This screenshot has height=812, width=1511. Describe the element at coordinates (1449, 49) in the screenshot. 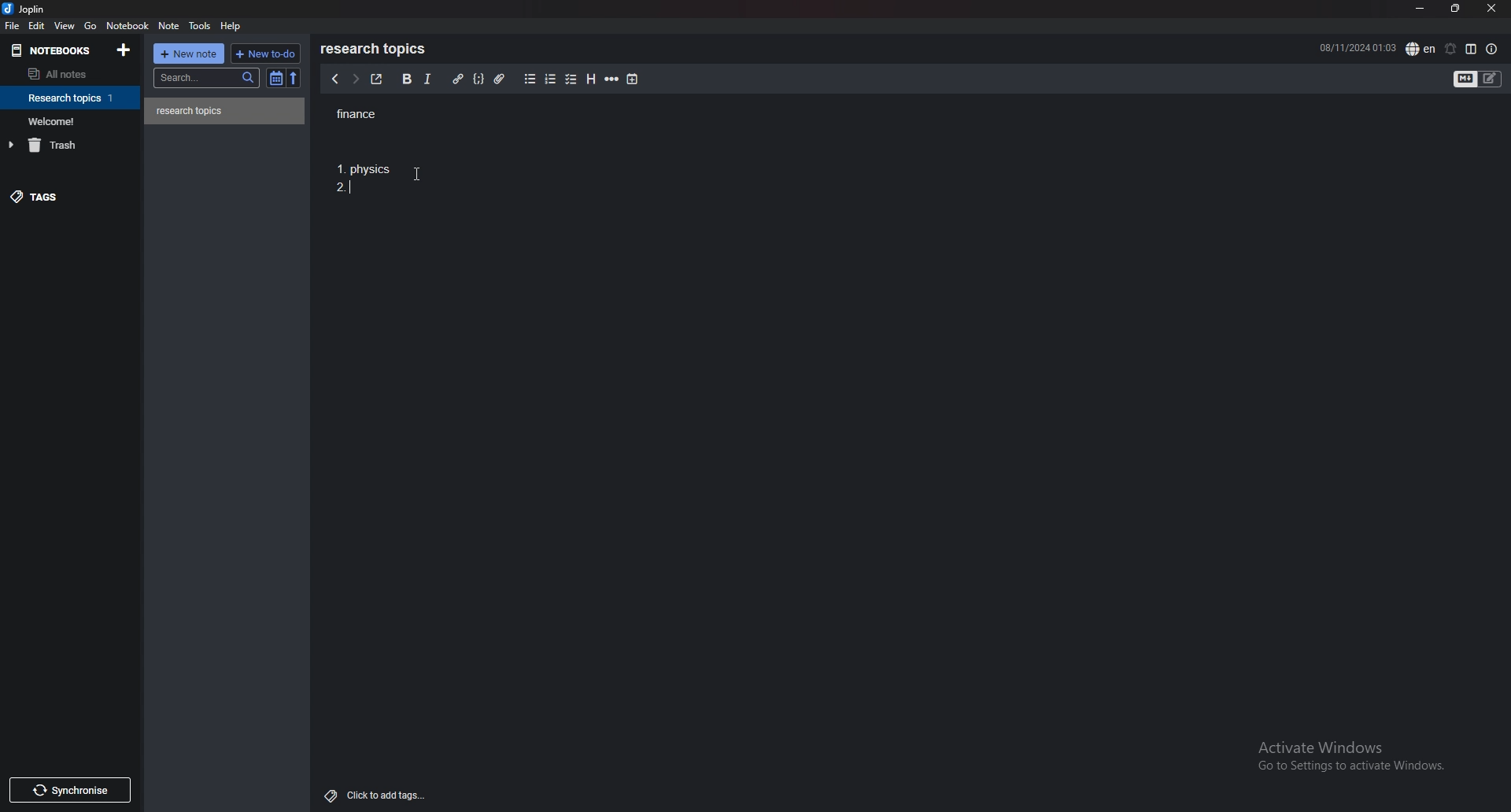

I see `set alarm` at that location.